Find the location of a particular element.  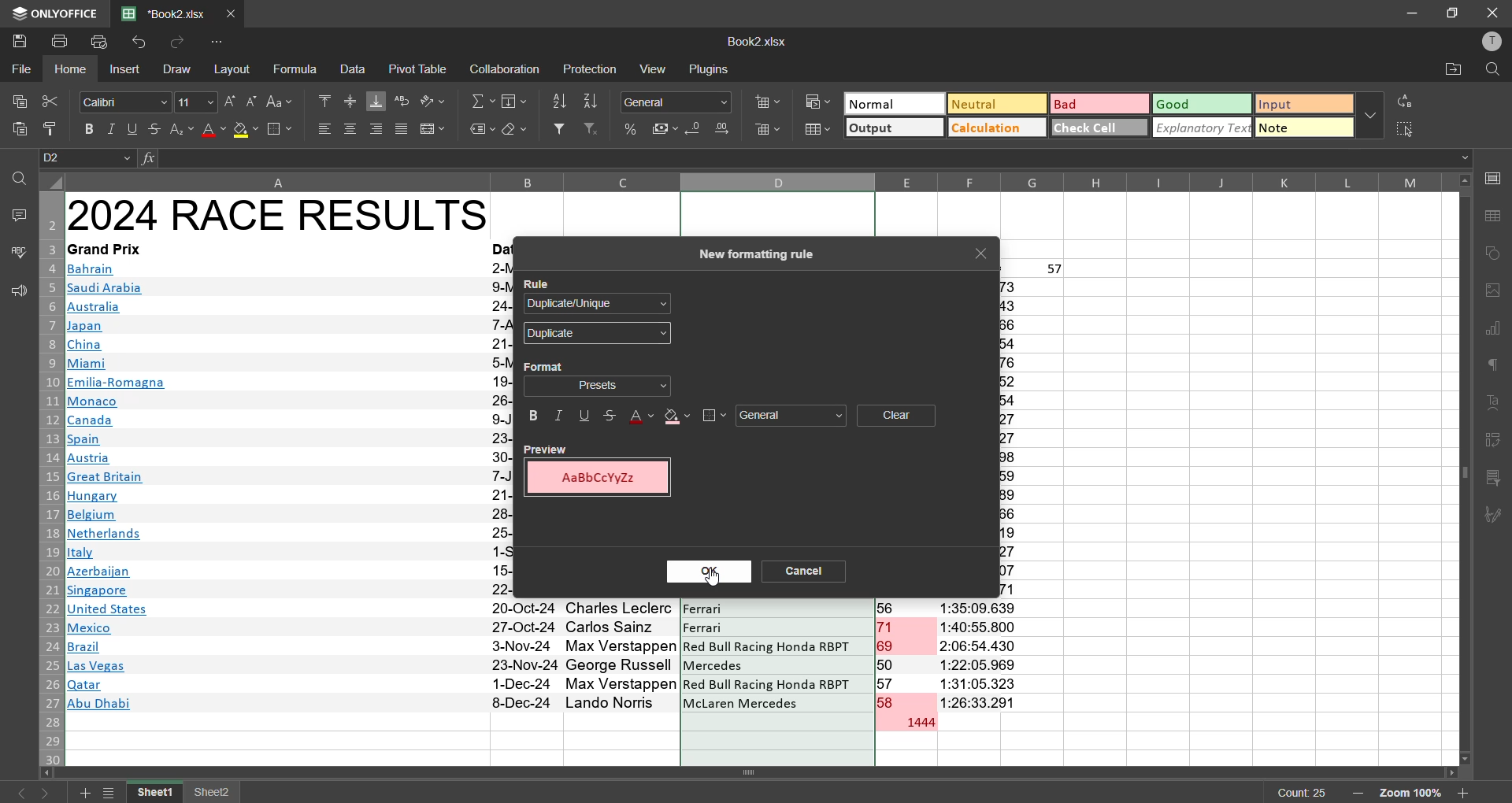

plugins is located at coordinates (709, 68).